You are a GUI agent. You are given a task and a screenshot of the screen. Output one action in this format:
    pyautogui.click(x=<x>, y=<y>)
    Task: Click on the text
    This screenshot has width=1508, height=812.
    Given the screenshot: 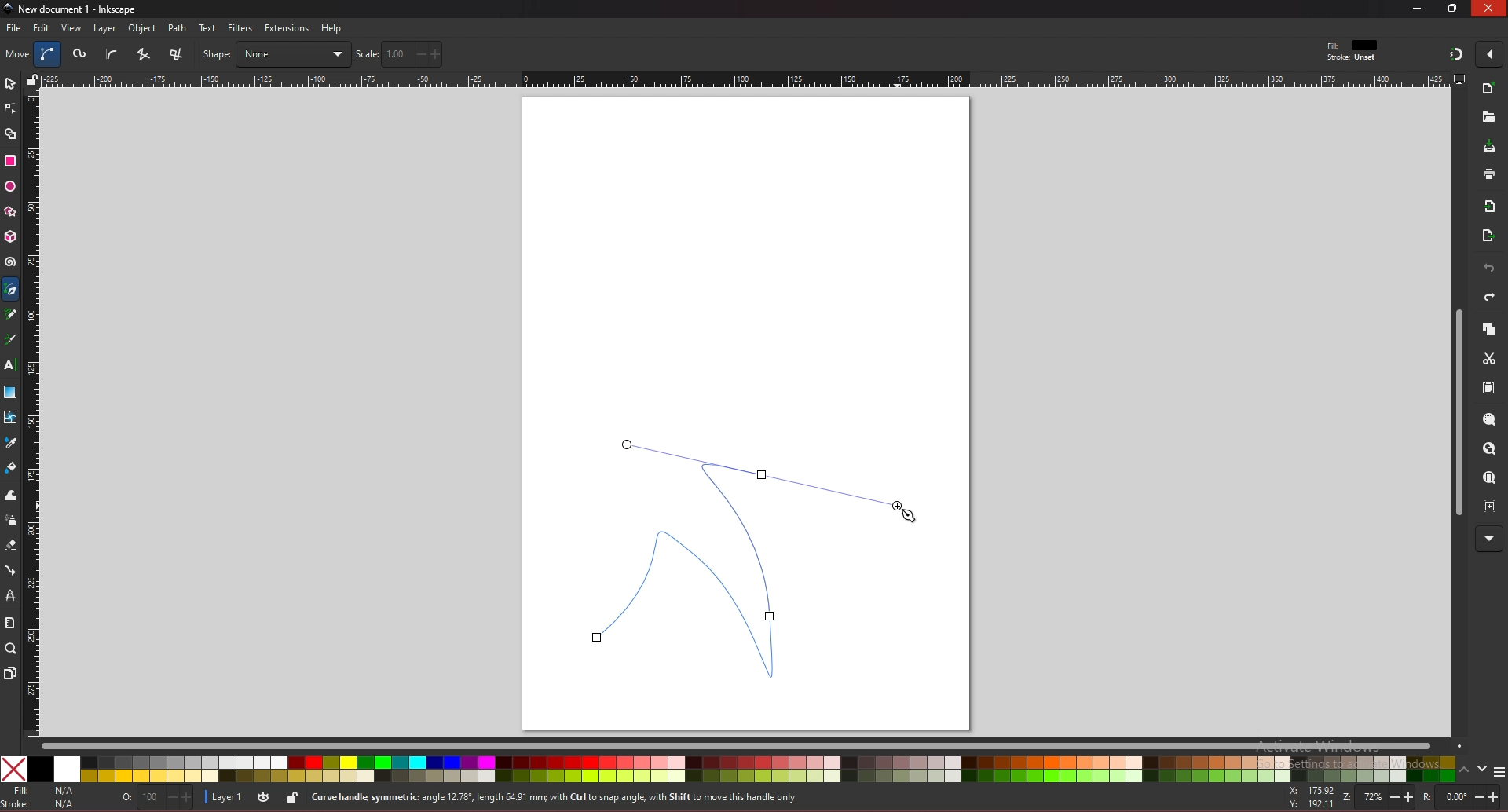 What is the action you would take?
    pyautogui.click(x=207, y=28)
    